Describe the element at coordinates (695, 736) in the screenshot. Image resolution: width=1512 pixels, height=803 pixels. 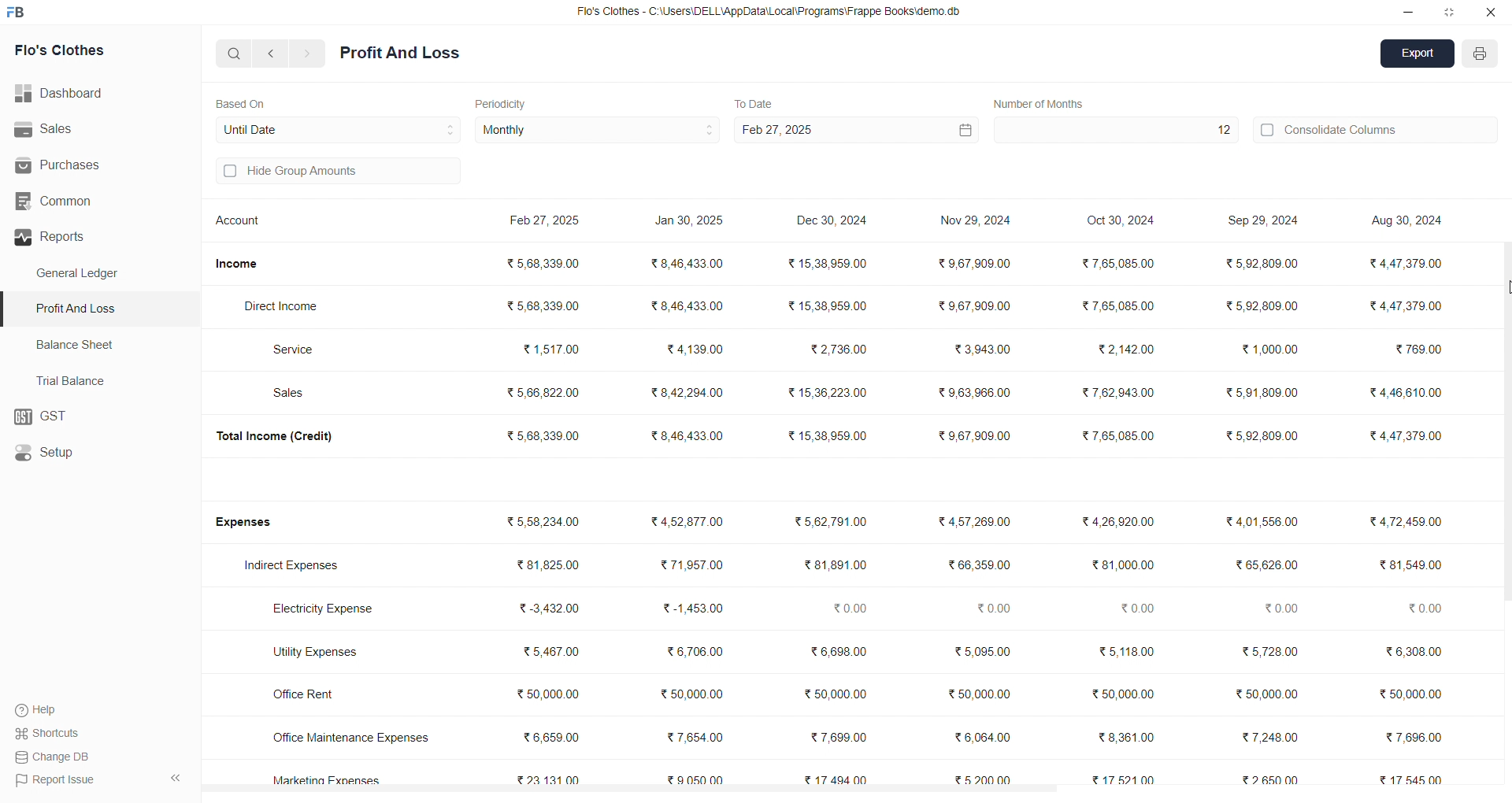
I see `₹ 7,654.00` at that location.